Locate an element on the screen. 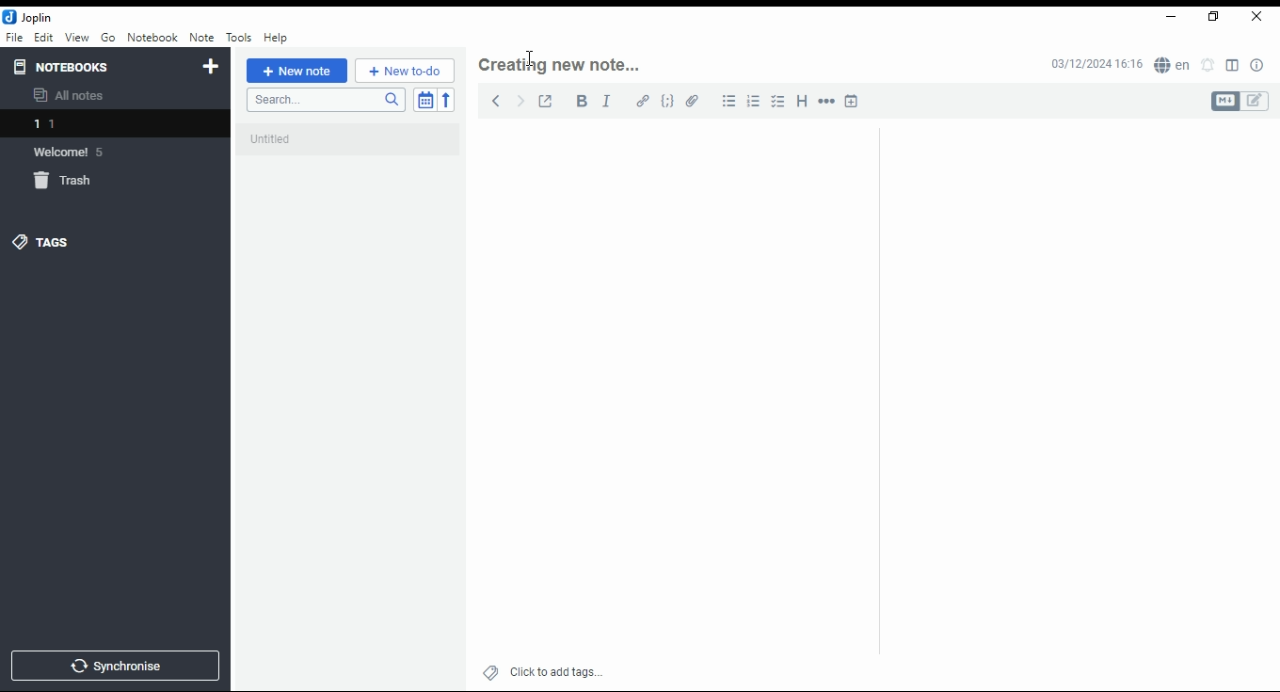 This screenshot has height=692, width=1280. icon is located at coordinates (30, 17).